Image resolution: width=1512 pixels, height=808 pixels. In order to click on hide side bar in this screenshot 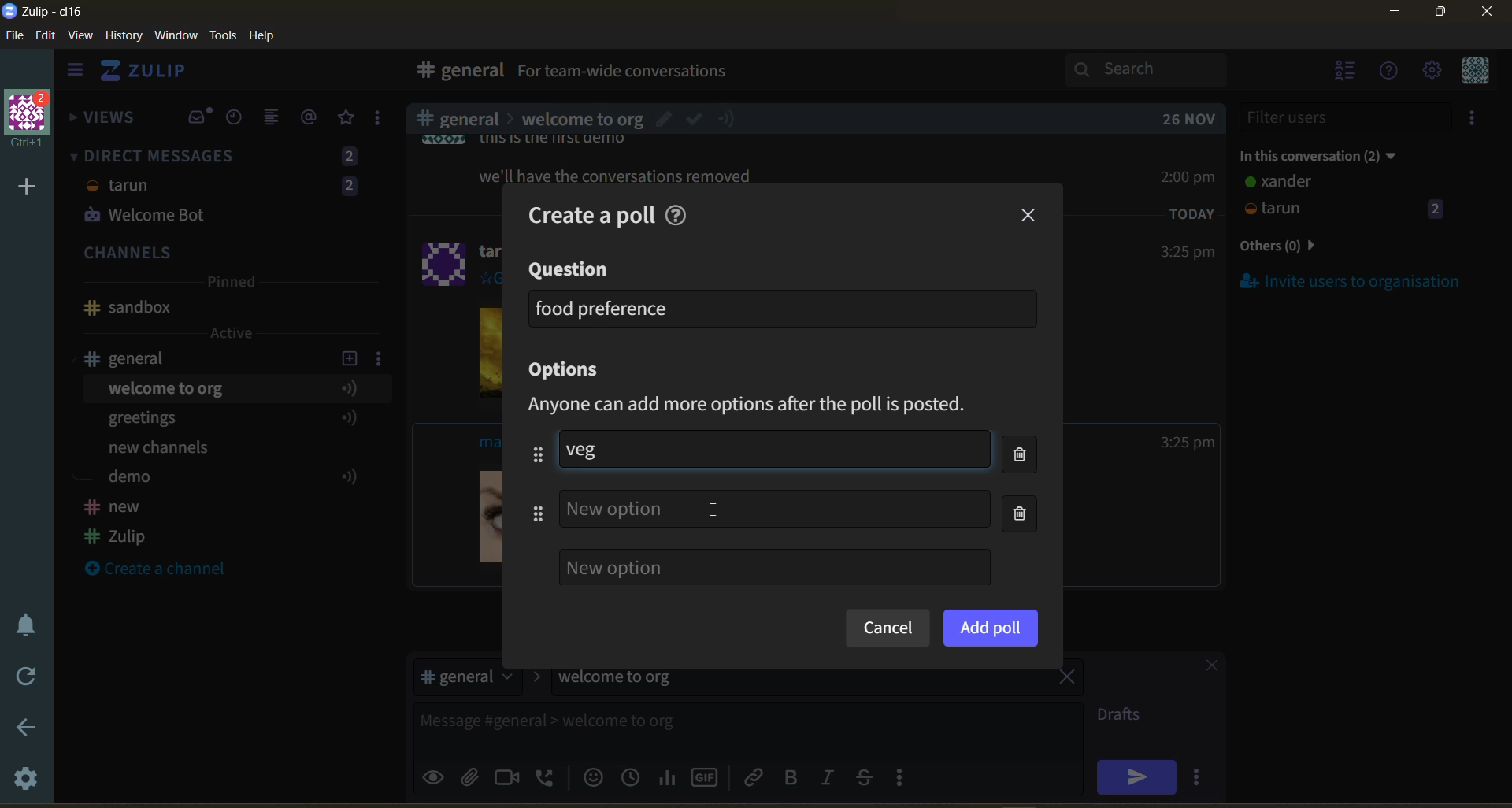, I will do `click(75, 73)`.